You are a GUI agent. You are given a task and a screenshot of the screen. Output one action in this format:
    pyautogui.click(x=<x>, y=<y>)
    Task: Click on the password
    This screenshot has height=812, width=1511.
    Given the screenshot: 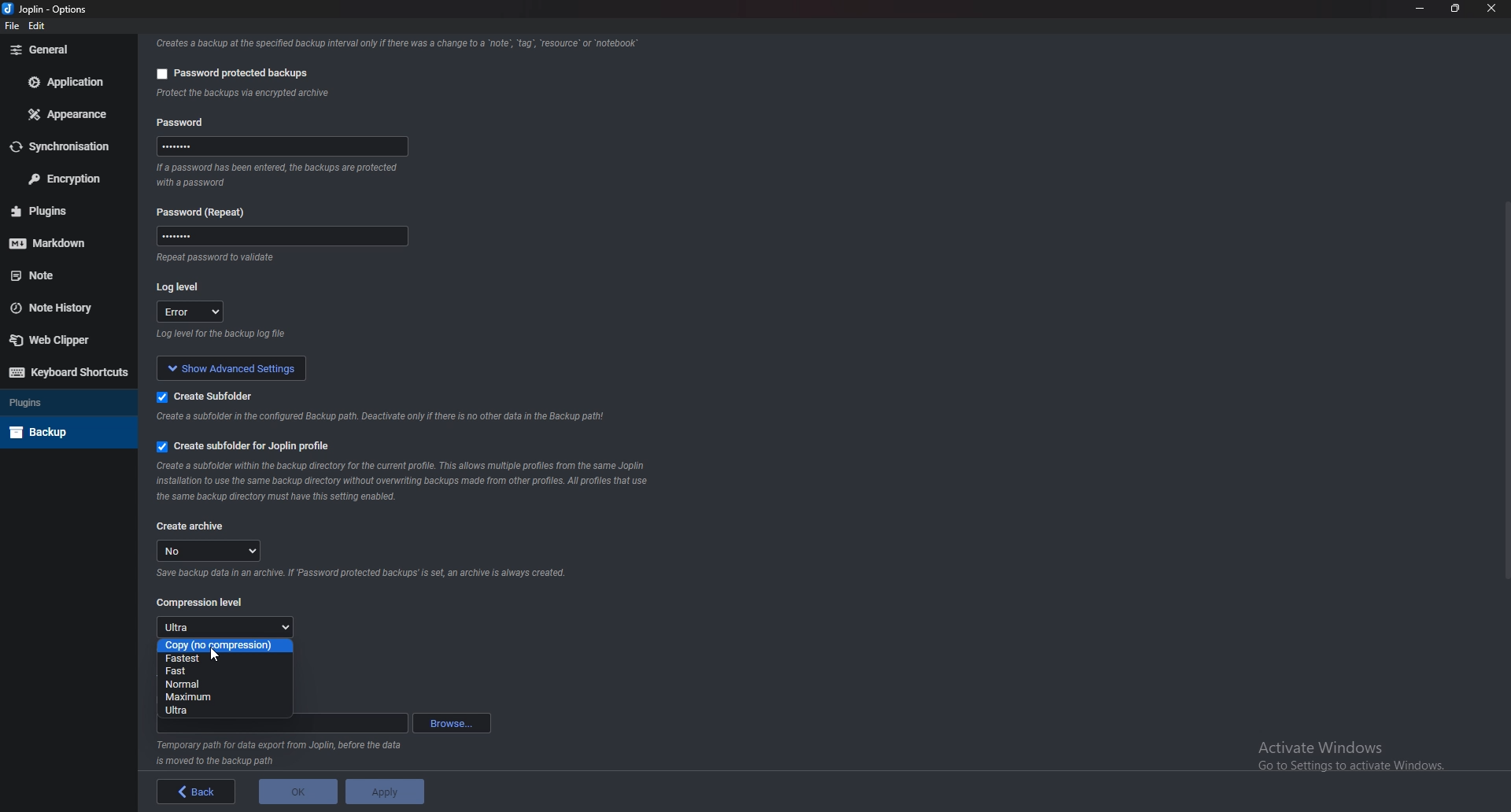 What is the action you would take?
    pyautogui.click(x=184, y=120)
    